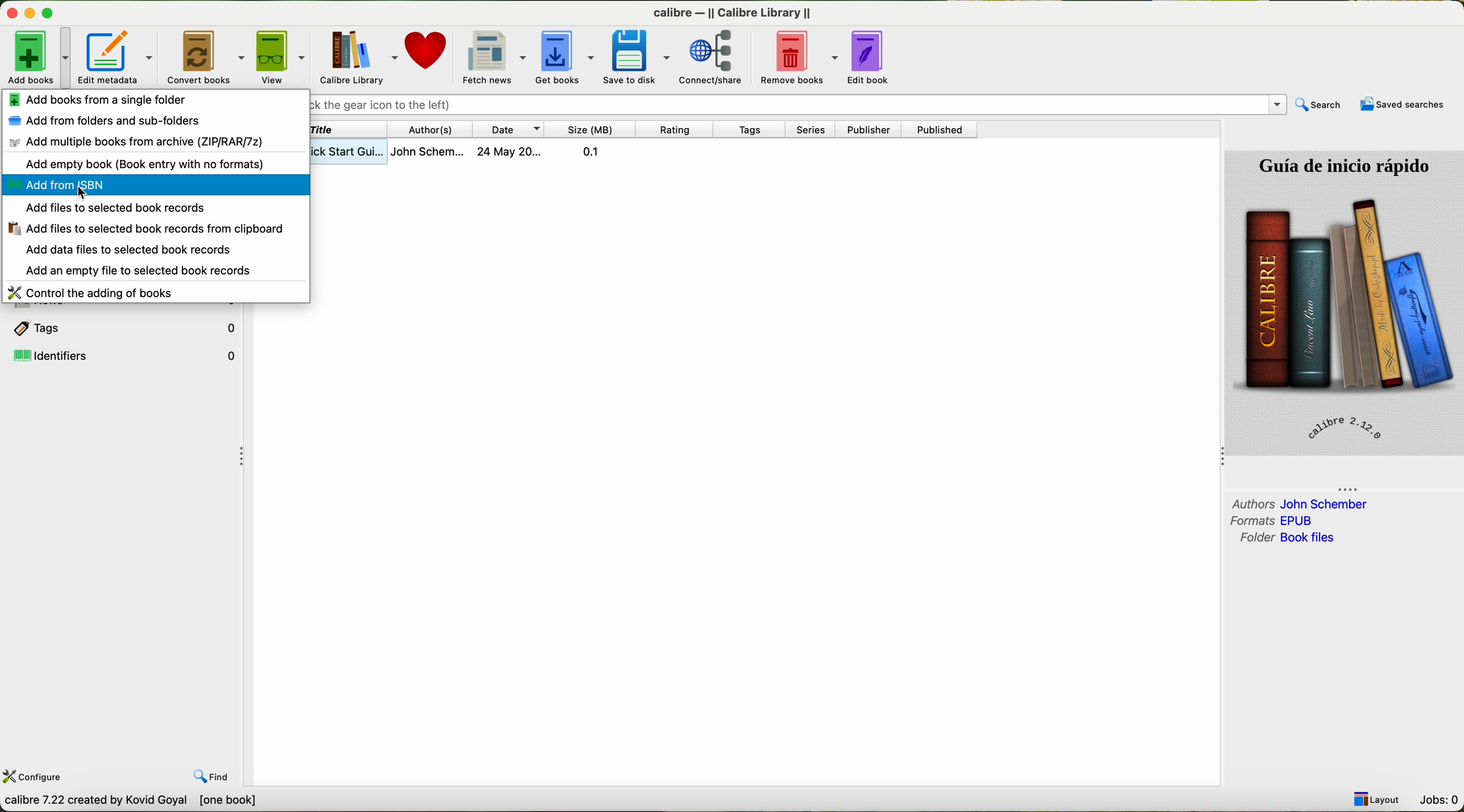 This screenshot has height=812, width=1464. What do you see at coordinates (109, 122) in the screenshot?
I see `add from folders` at bounding box center [109, 122].